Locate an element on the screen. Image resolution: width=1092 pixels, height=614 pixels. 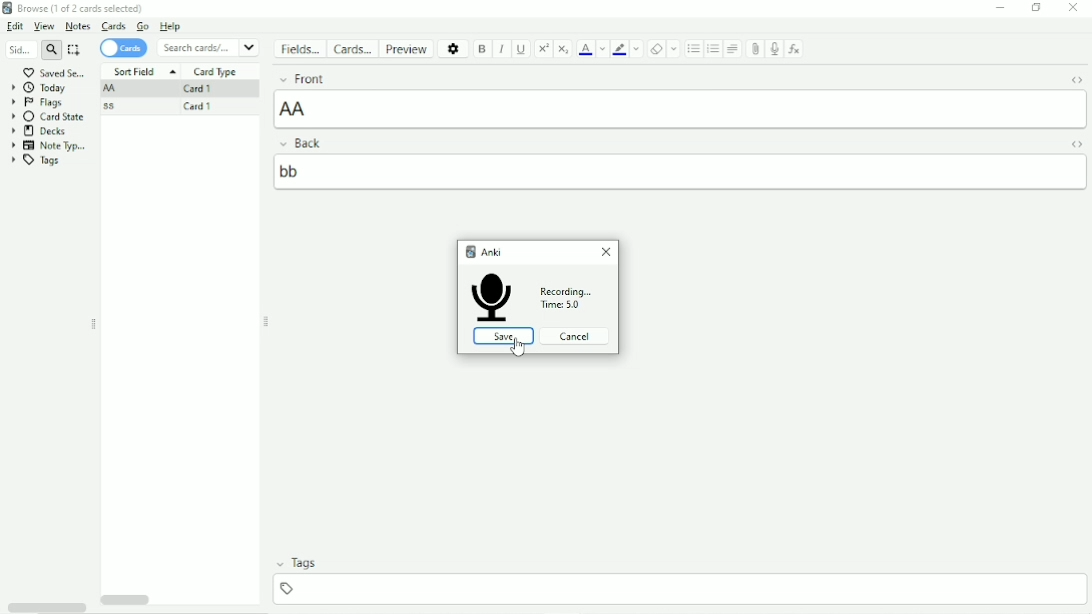
Tags is located at coordinates (41, 161).